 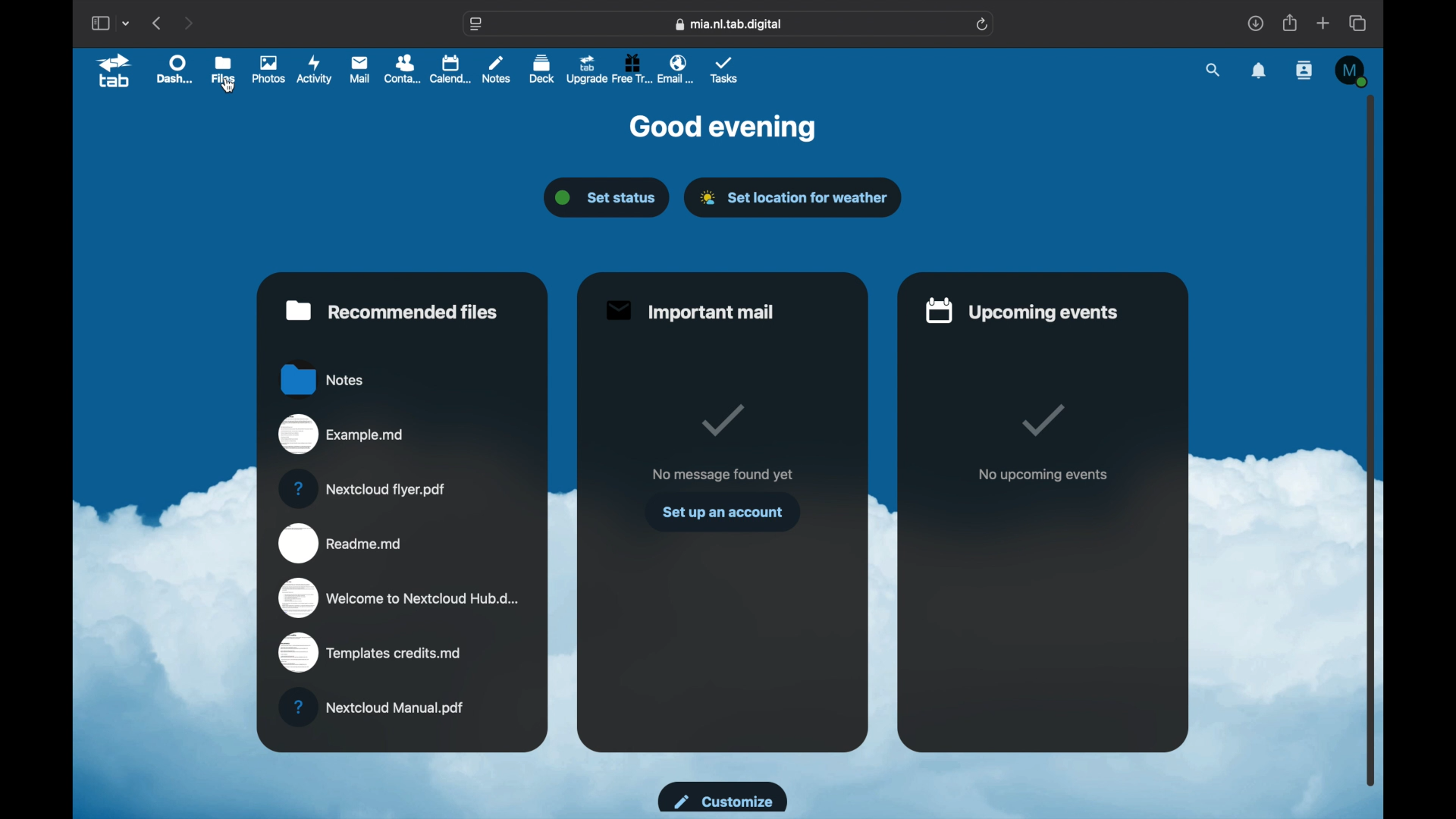 I want to click on no message found yet, so click(x=723, y=475).